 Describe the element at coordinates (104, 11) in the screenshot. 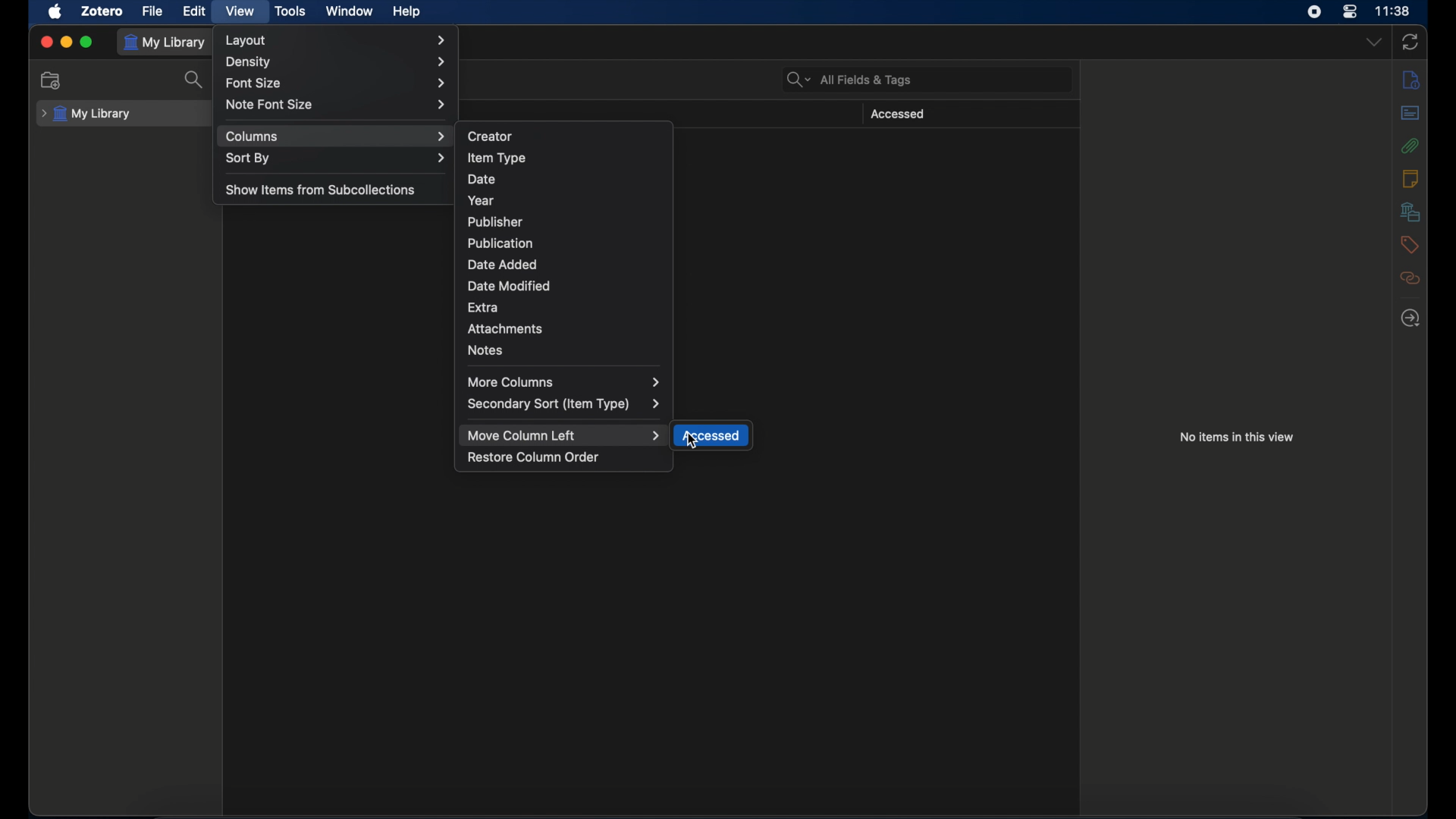

I see `zotero` at that location.